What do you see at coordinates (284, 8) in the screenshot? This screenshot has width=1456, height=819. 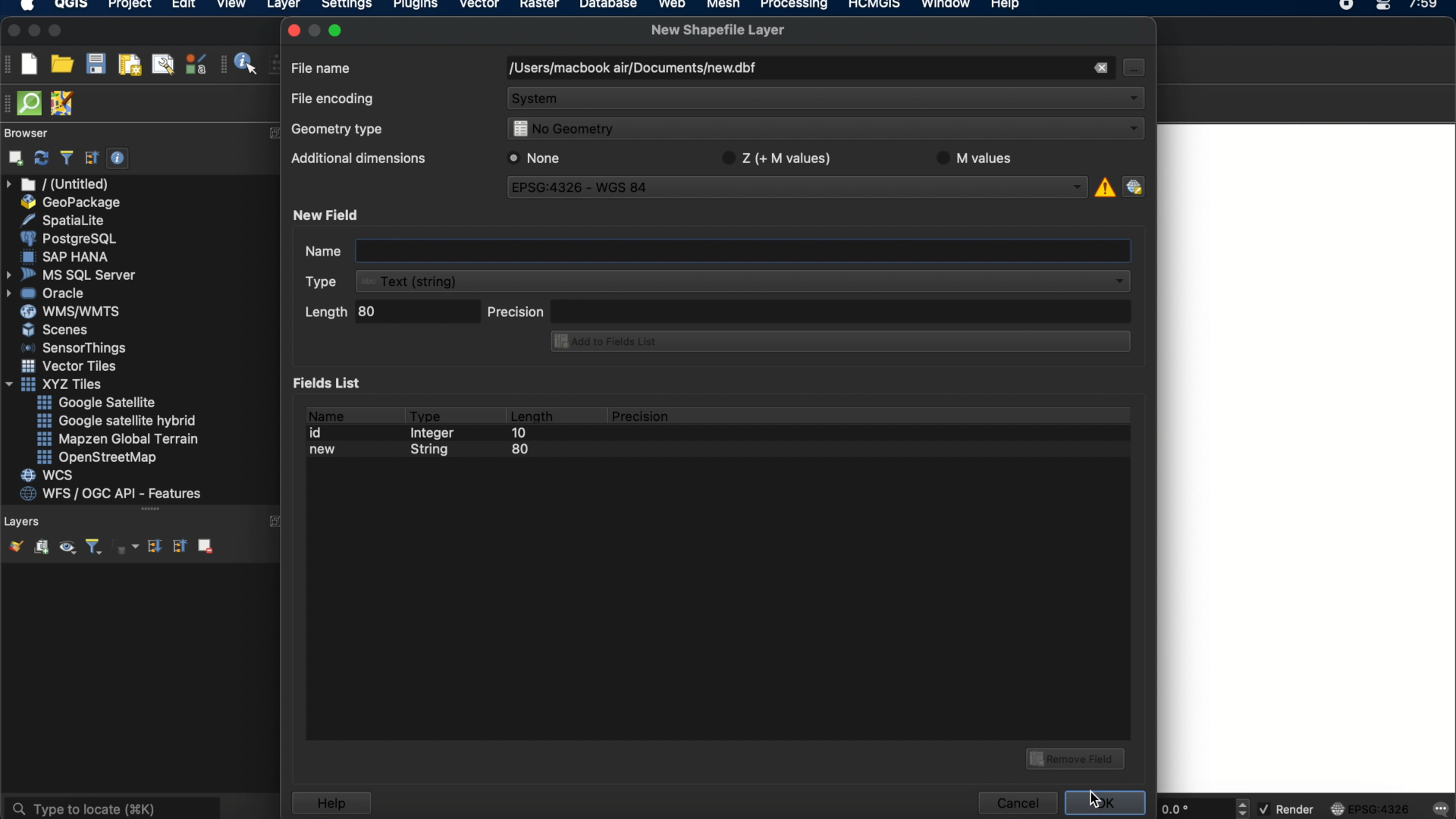 I see `layer` at bounding box center [284, 8].